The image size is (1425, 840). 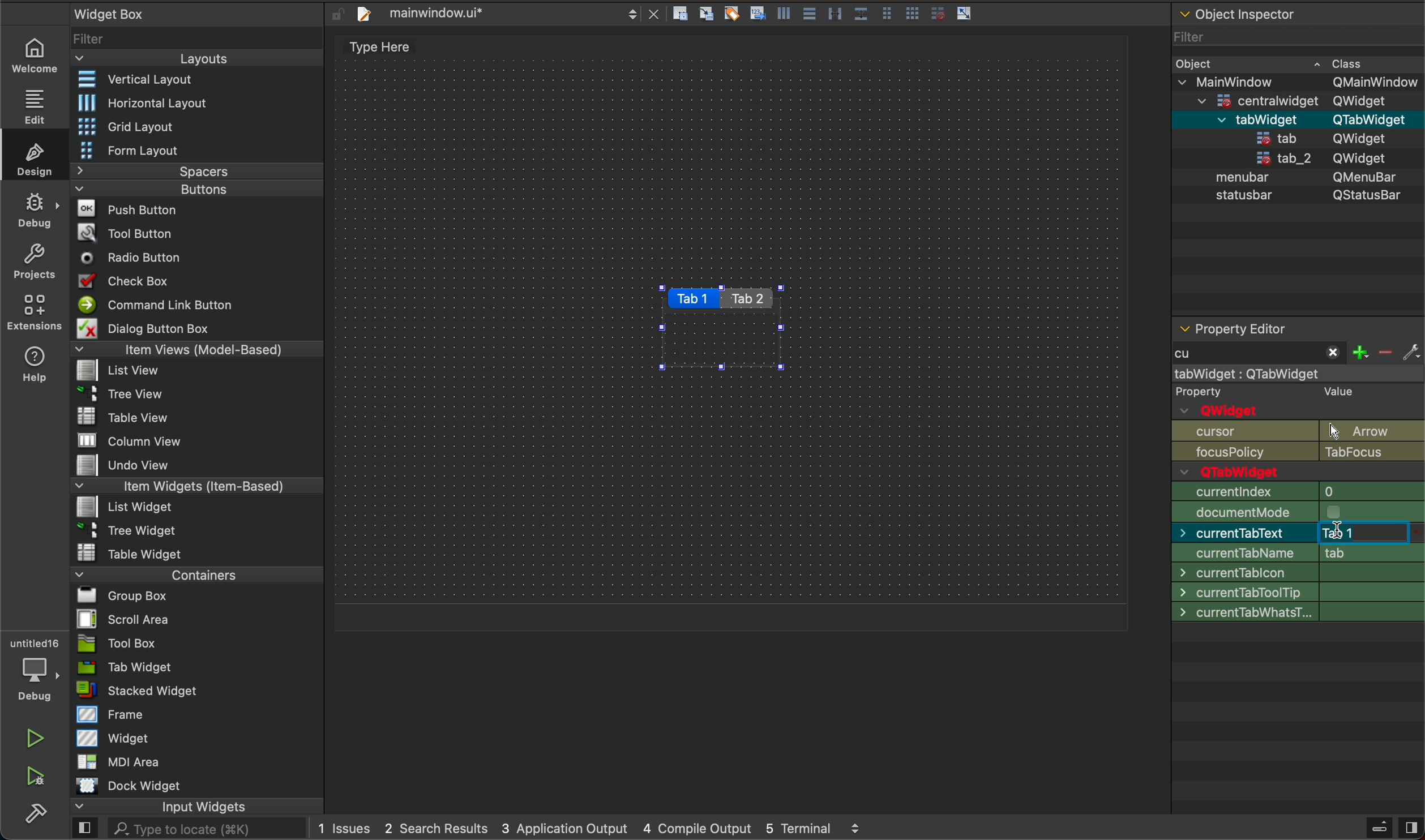 I want to click on palette, so click(x=1299, y=610).